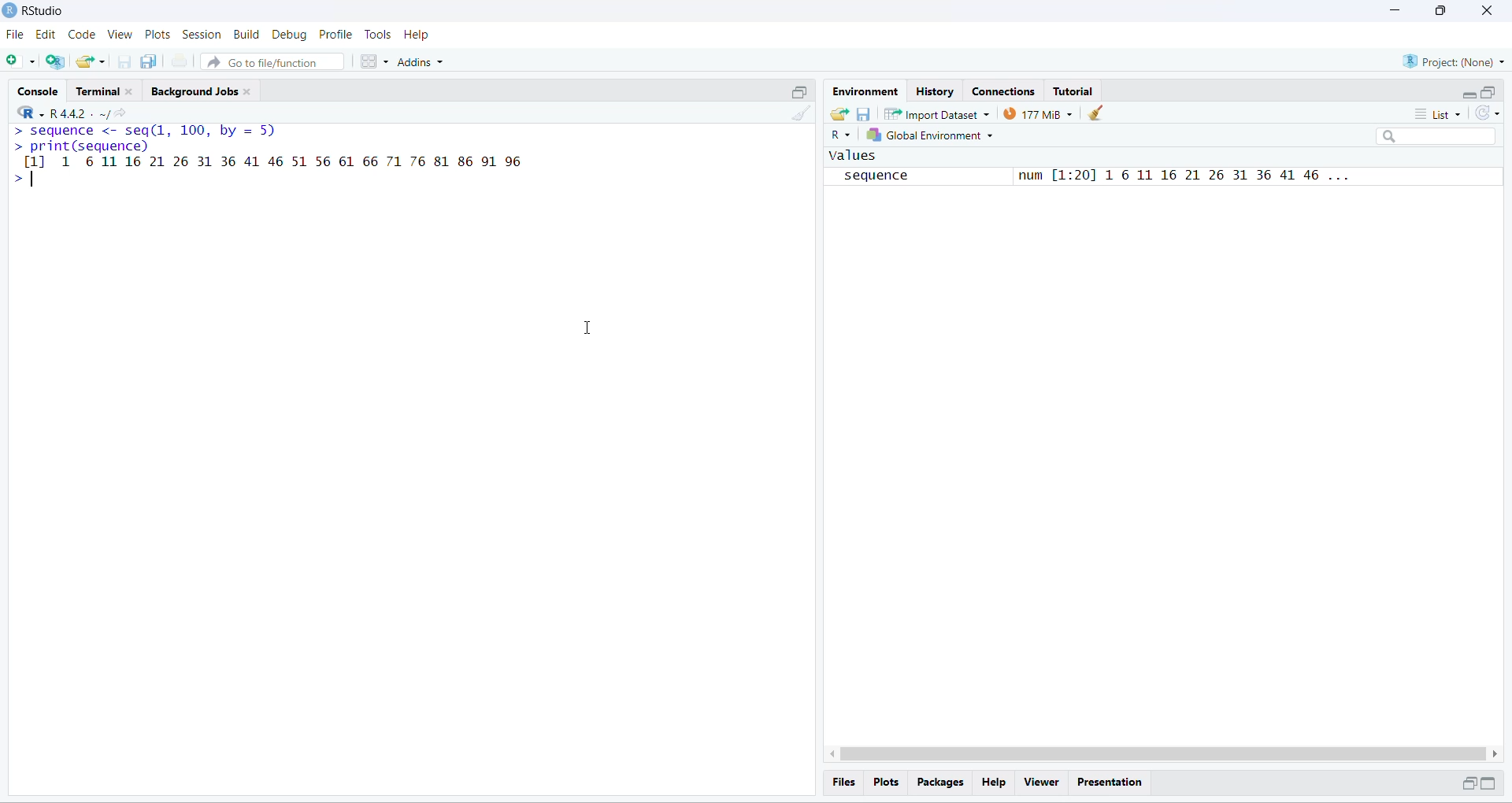 The width and height of the screenshot is (1512, 803). What do you see at coordinates (995, 783) in the screenshot?
I see `help` at bounding box center [995, 783].